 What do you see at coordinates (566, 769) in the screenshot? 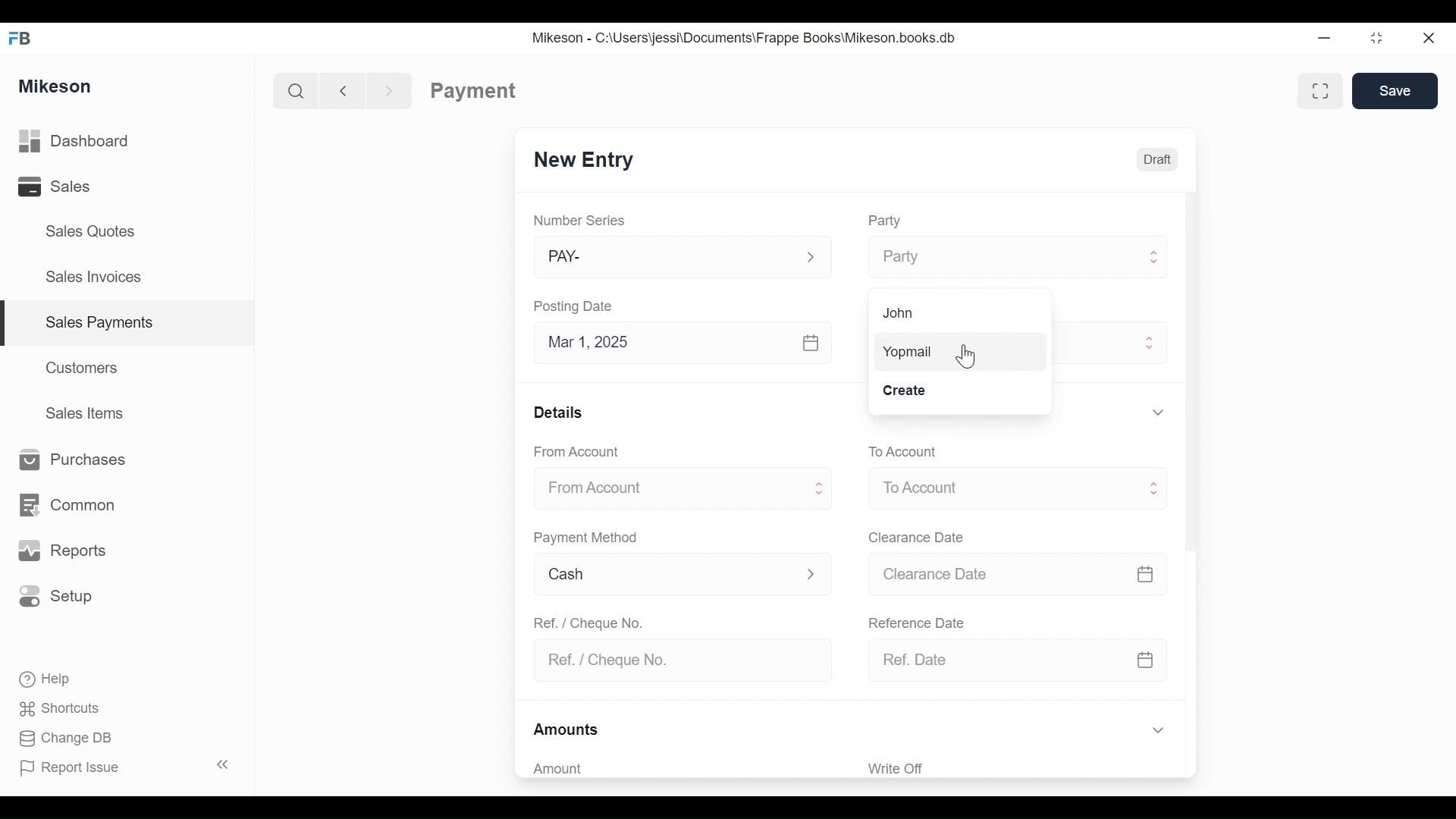
I see `Amount` at bounding box center [566, 769].